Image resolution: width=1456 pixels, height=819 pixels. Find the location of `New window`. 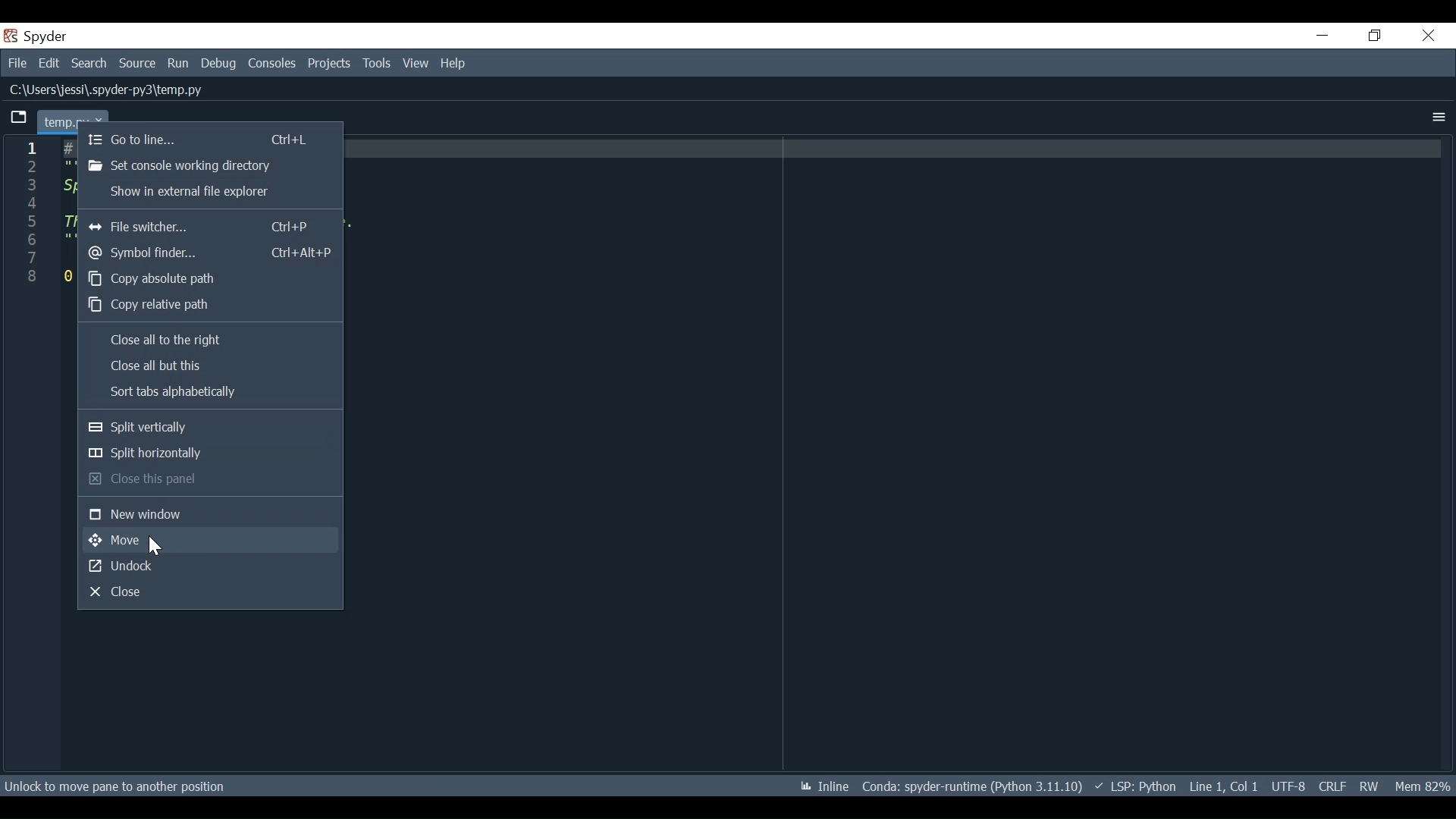

New window is located at coordinates (210, 515).